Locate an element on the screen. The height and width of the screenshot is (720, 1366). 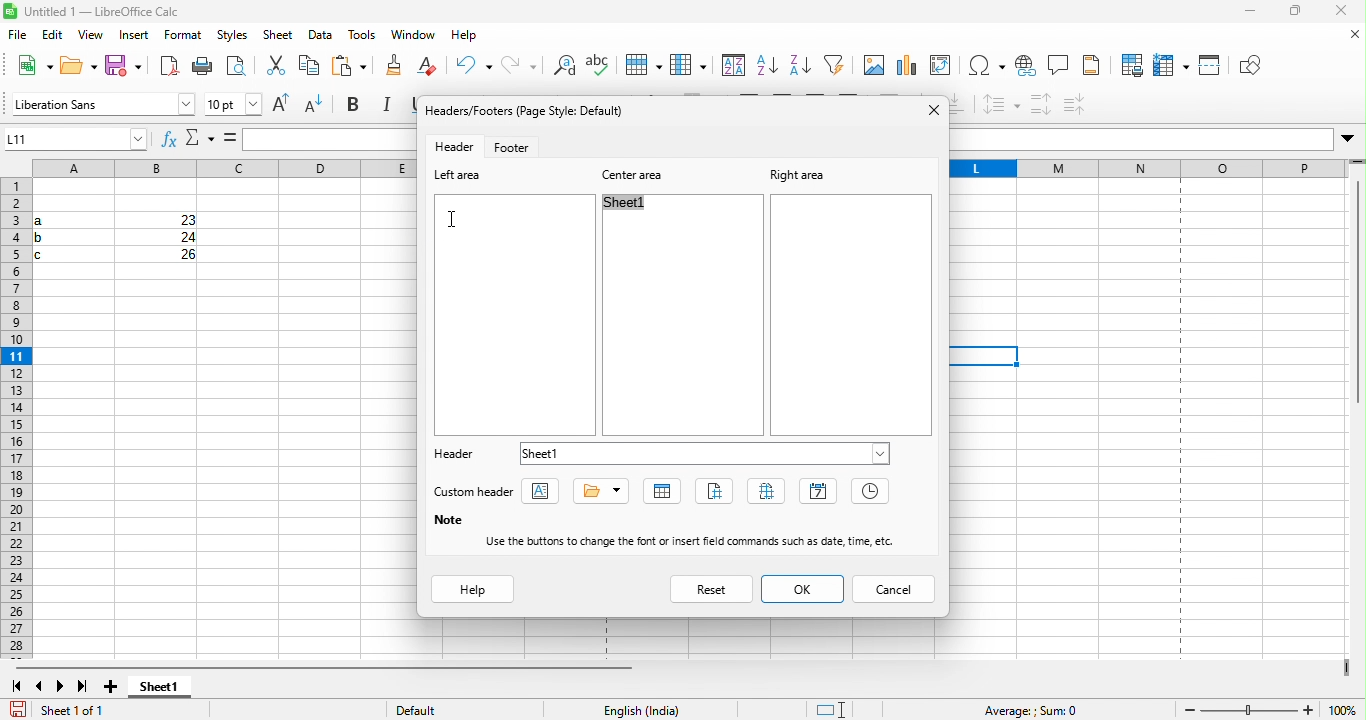
date is located at coordinates (817, 492).